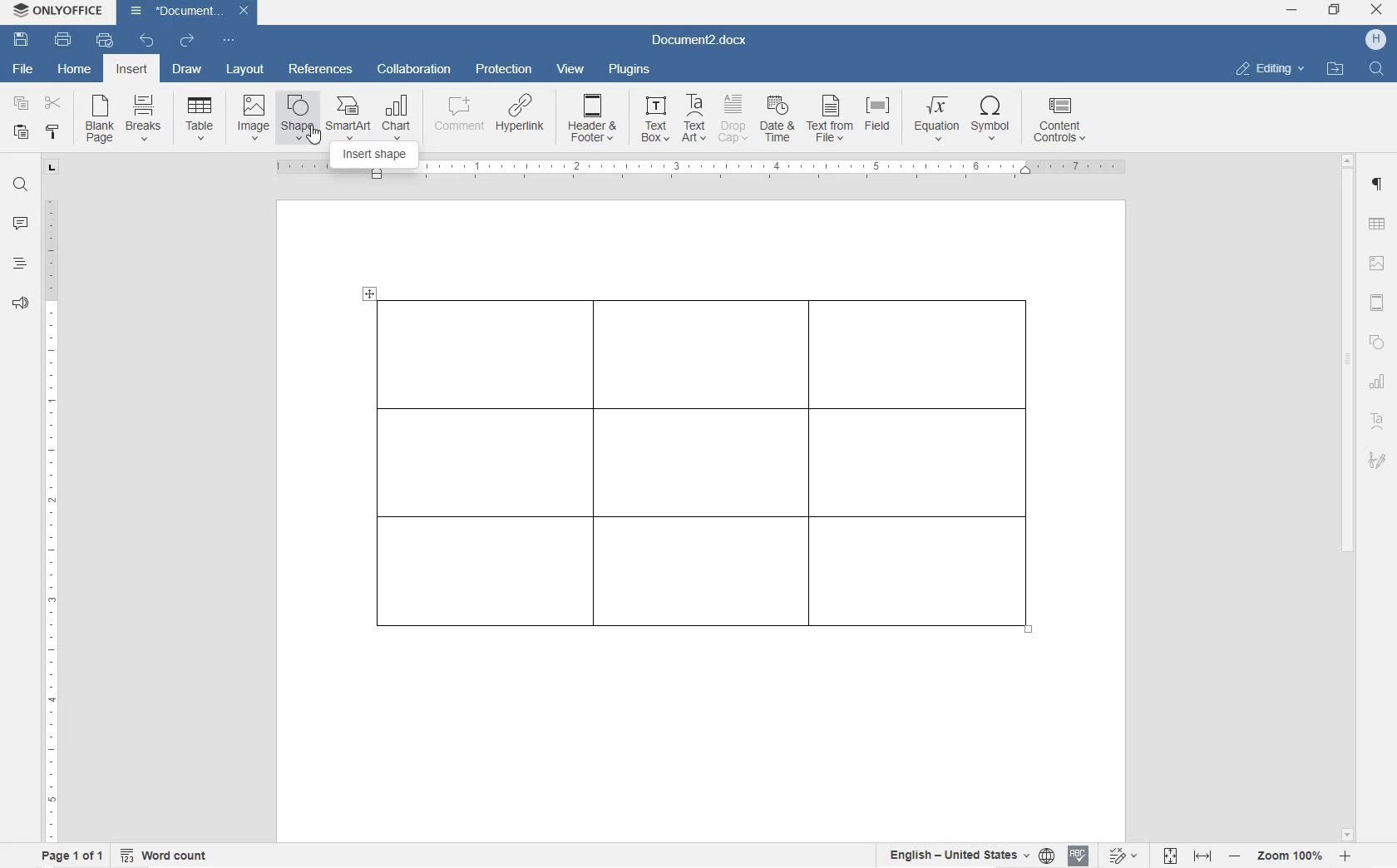 Image resolution: width=1397 pixels, height=868 pixels. I want to click on cut, so click(52, 104).